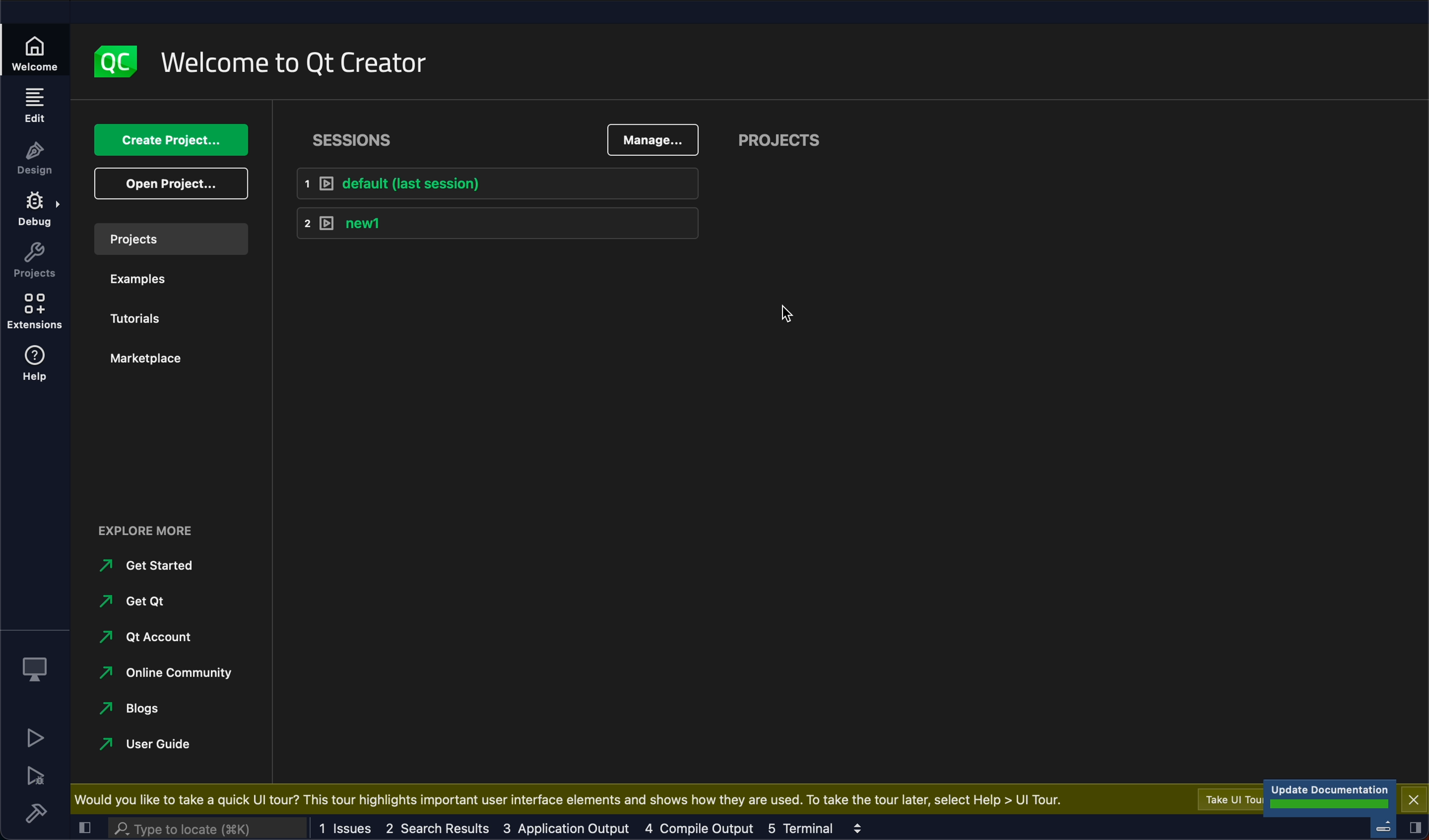 The image size is (1429, 840). What do you see at coordinates (366, 137) in the screenshot?
I see `sessions` at bounding box center [366, 137].